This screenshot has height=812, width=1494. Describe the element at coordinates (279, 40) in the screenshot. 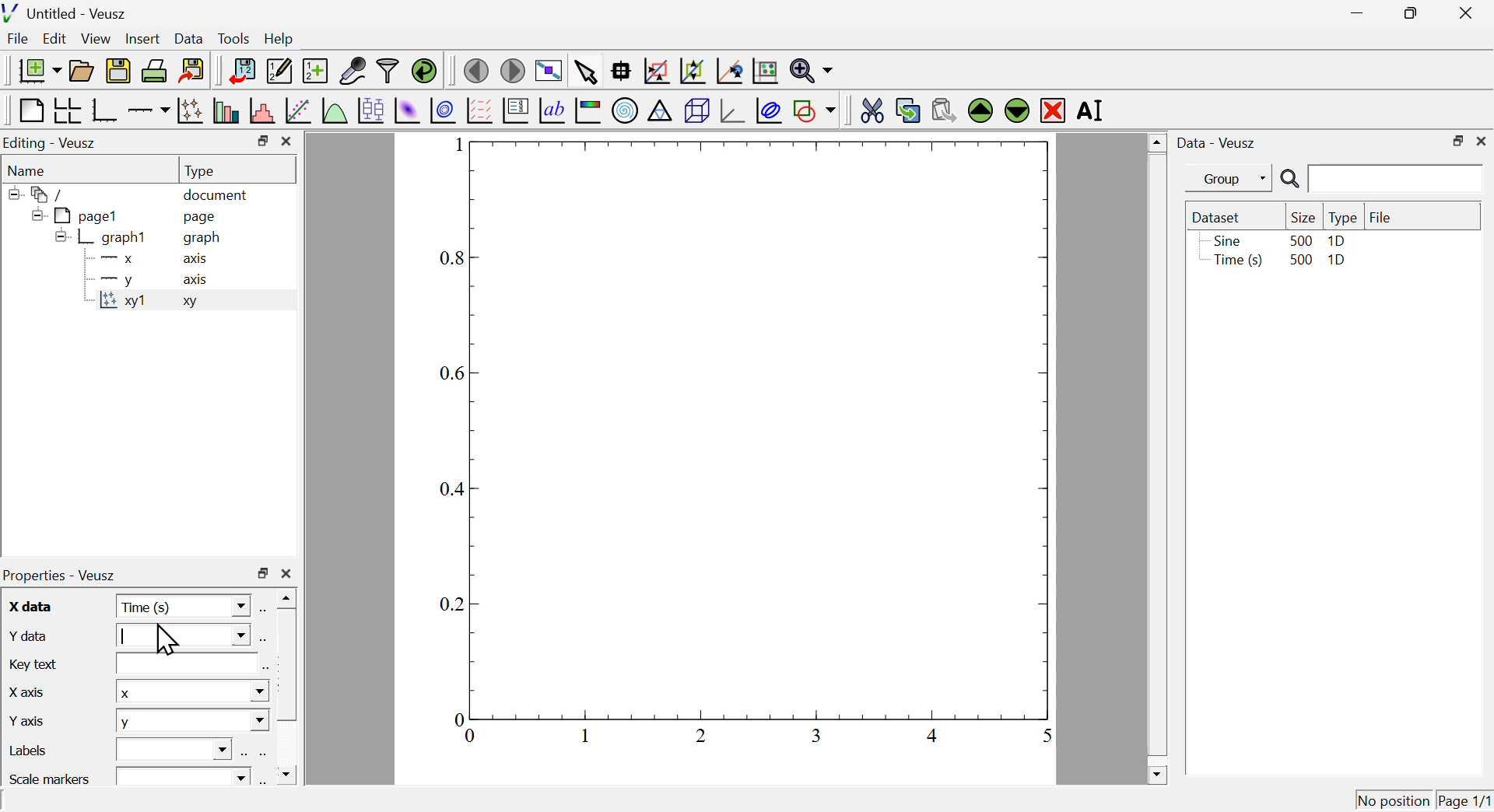

I see `help` at that location.